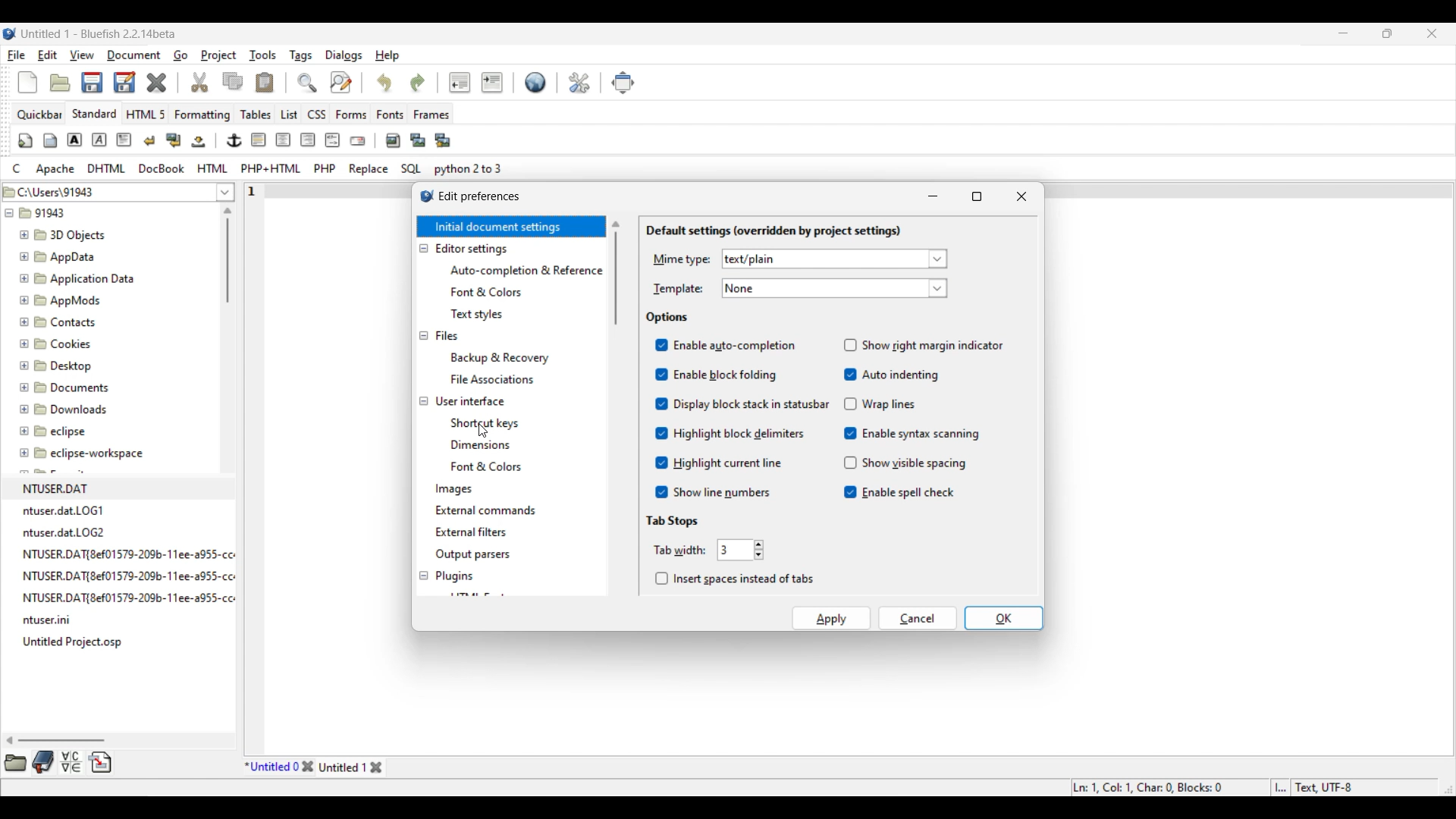  I want to click on  Wrap lines, so click(880, 403).